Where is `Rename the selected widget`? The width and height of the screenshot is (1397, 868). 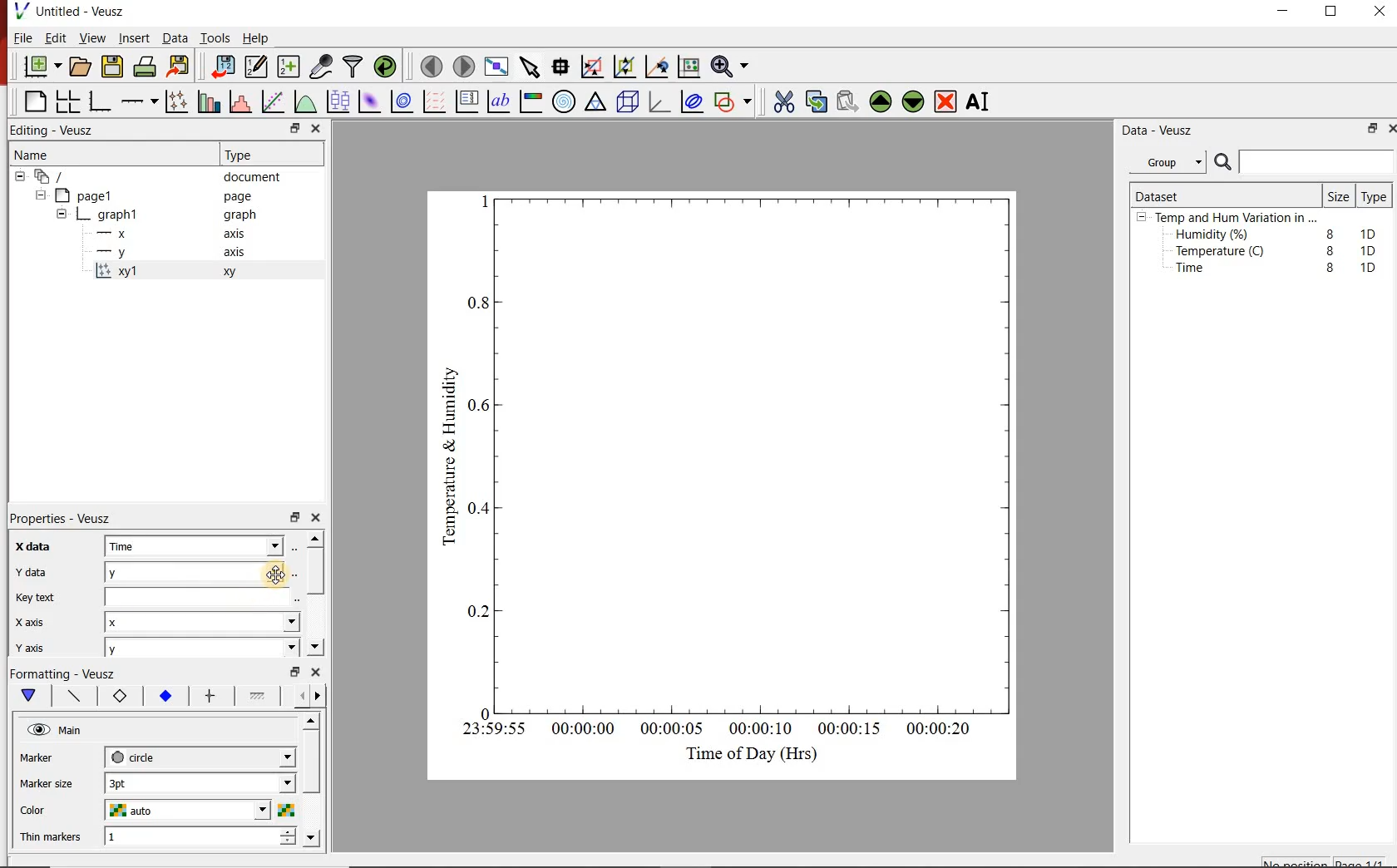
Rename the selected widget is located at coordinates (981, 101).